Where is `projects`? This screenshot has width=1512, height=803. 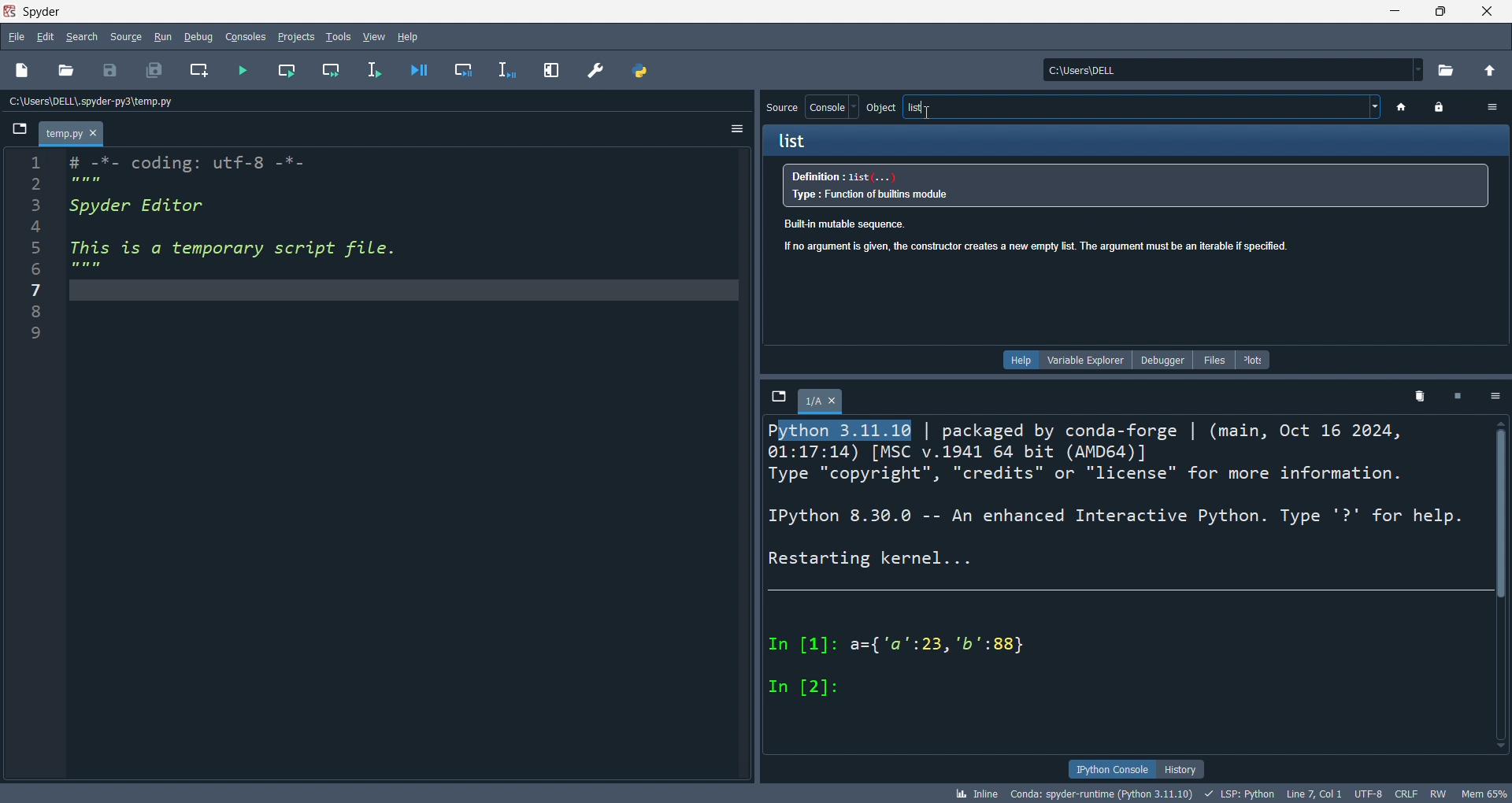
projects is located at coordinates (291, 33).